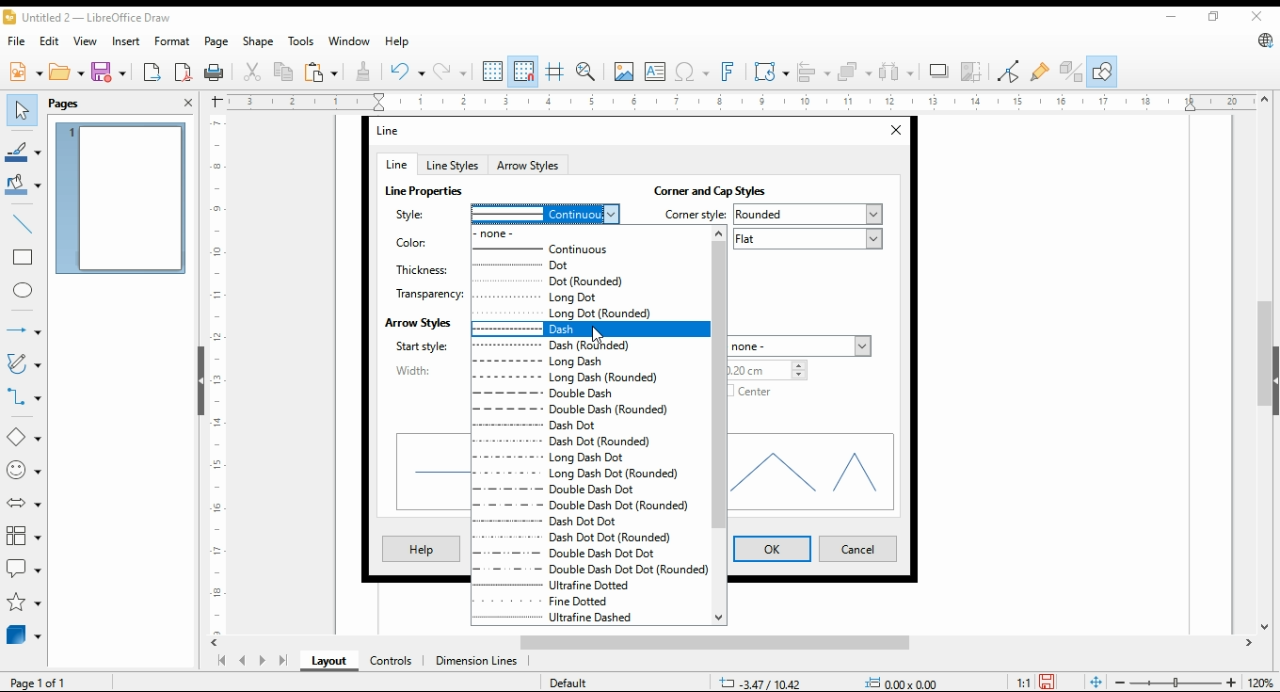 Image resolution: width=1280 pixels, height=692 pixels. I want to click on Corner and Cap Styles., so click(726, 191).